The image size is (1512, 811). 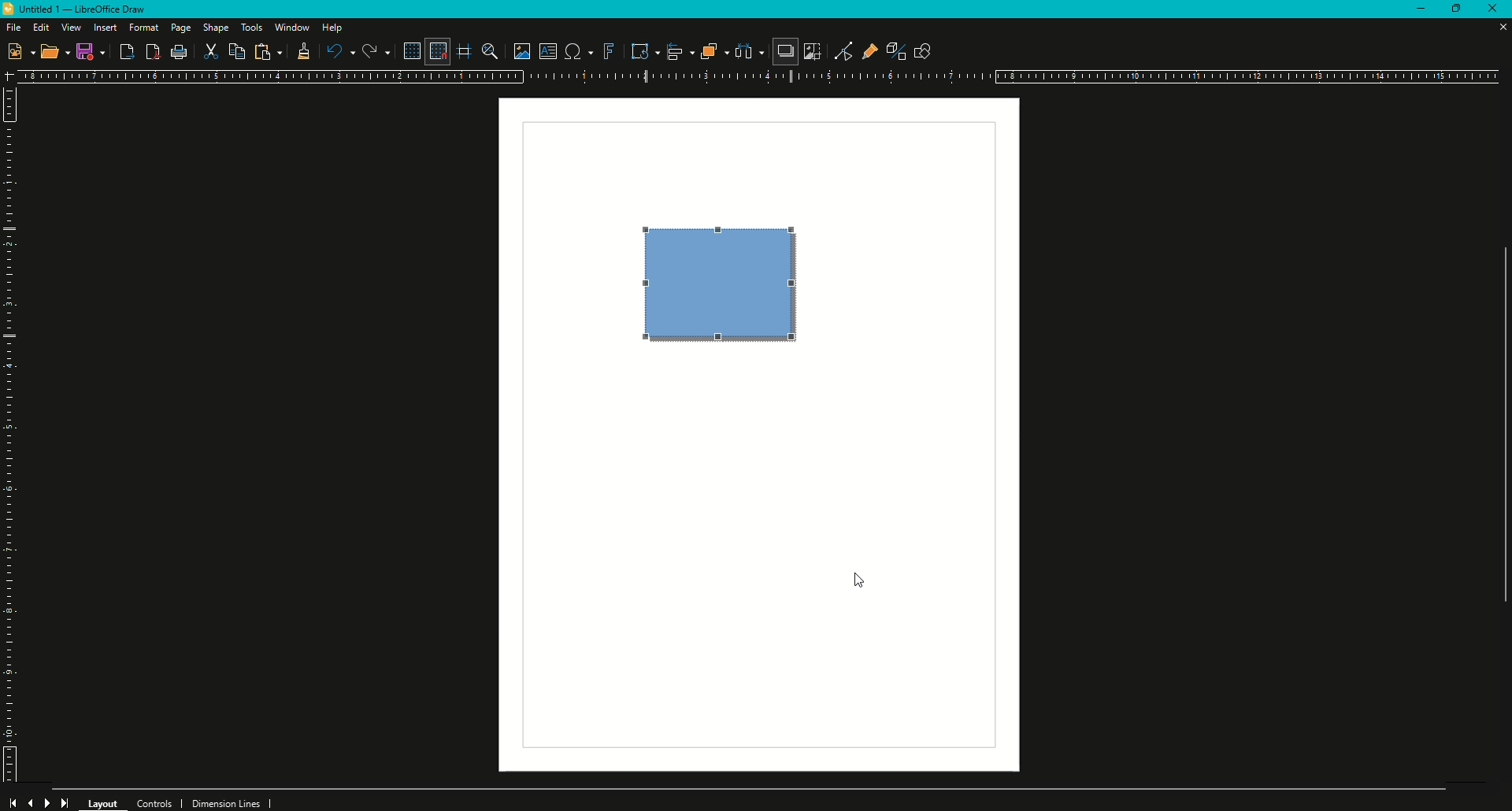 What do you see at coordinates (105, 28) in the screenshot?
I see `Insert` at bounding box center [105, 28].